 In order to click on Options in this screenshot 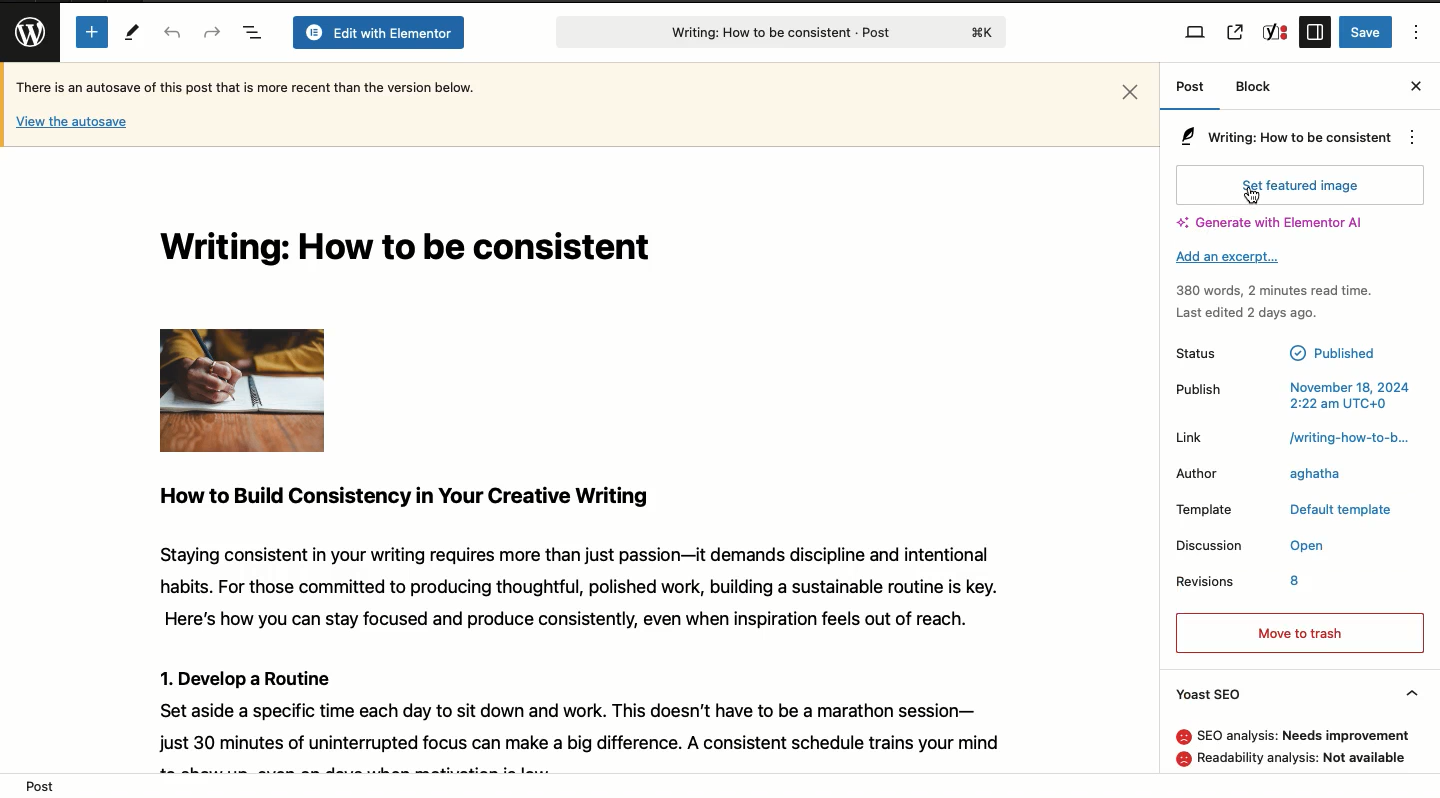, I will do `click(1419, 31)`.